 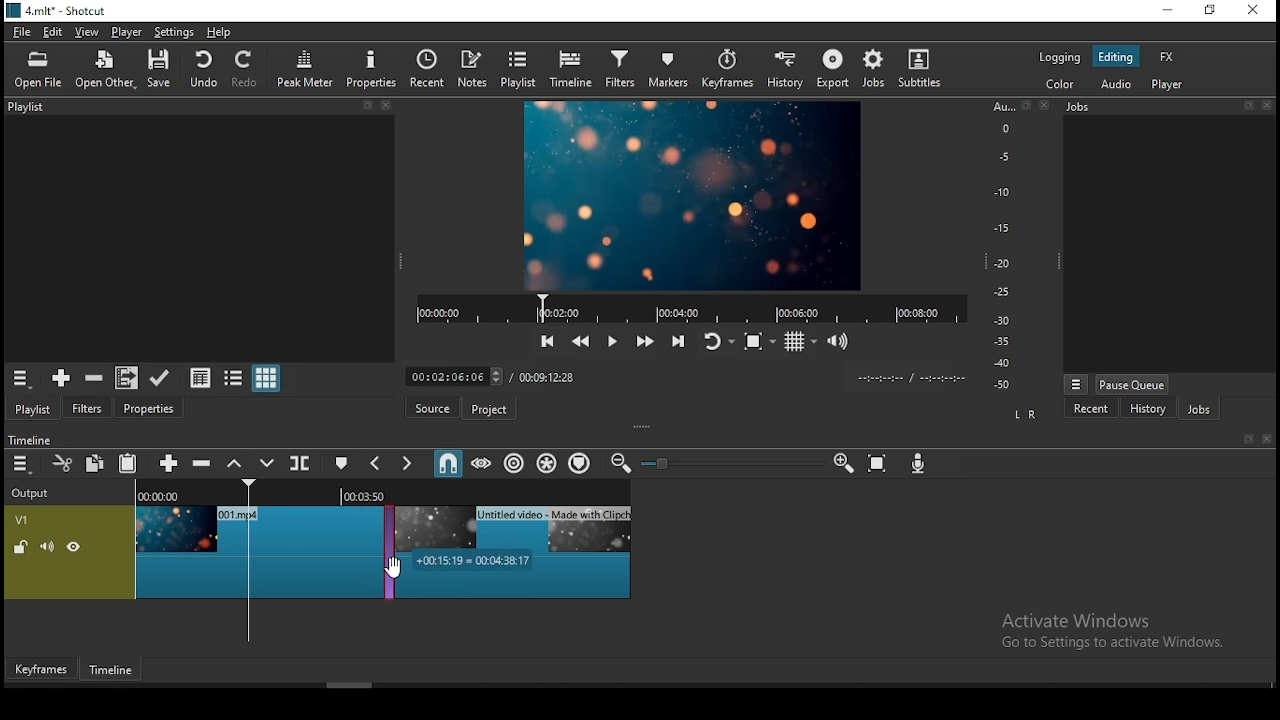 I want to click on video player progress bar, so click(x=690, y=307).